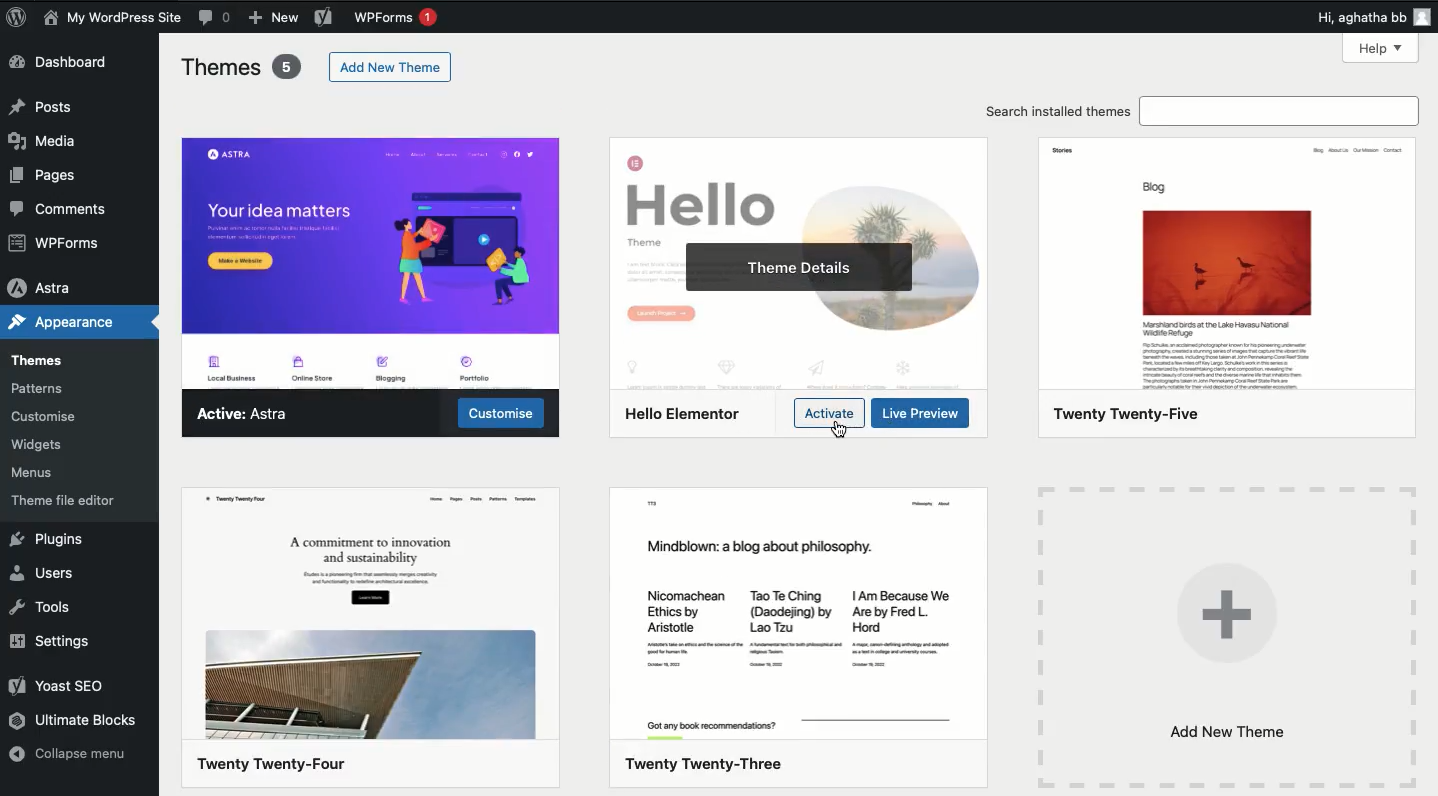 The width and height of the screenshot is (1438, 796). I want to click on Theme 2, so click(796, 185).